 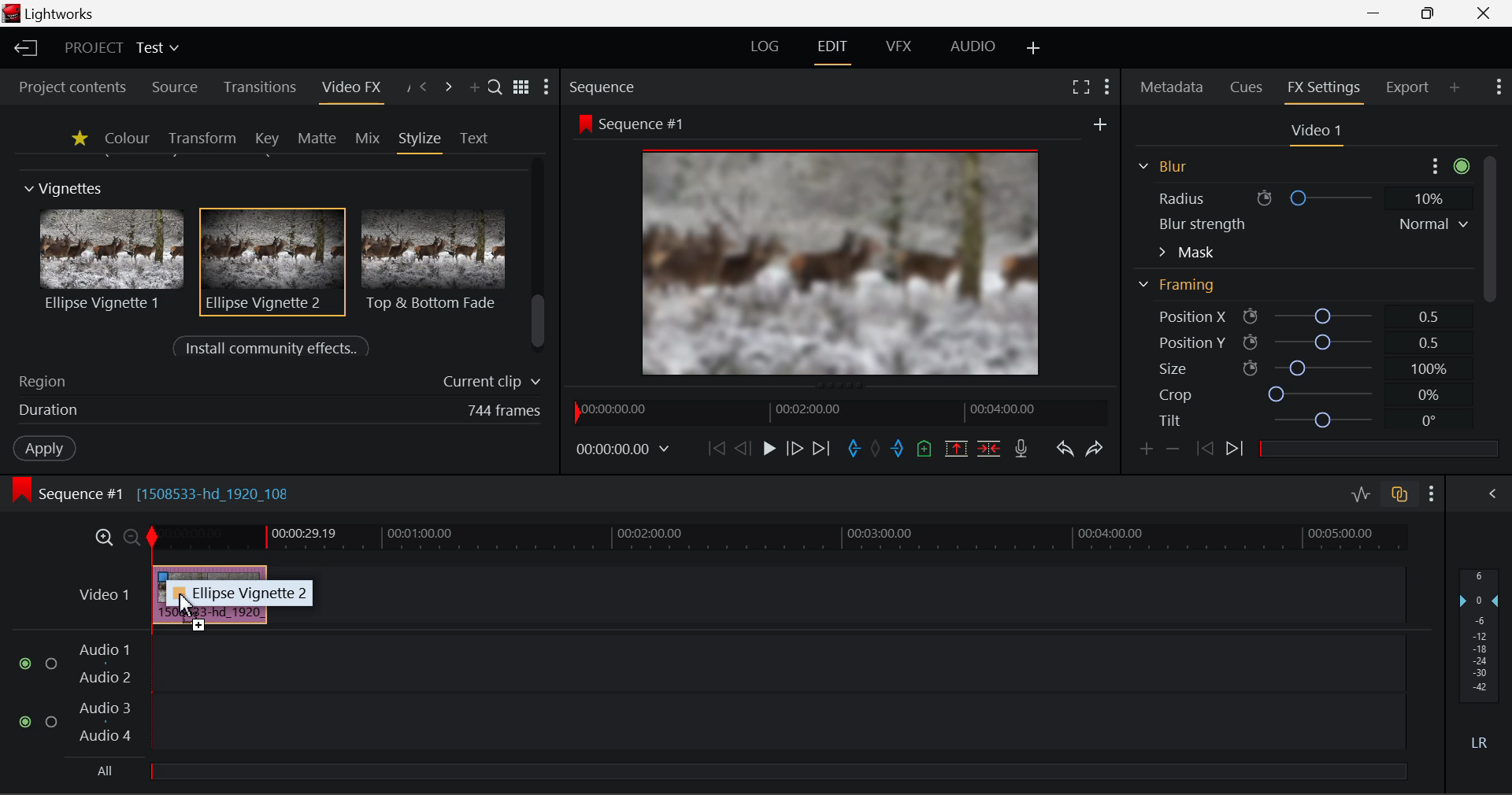 What do you see at coordinates (1360, 493) in the screenshot?
I see `Toggle audio levels editing` at bounding box center [1360, 493].